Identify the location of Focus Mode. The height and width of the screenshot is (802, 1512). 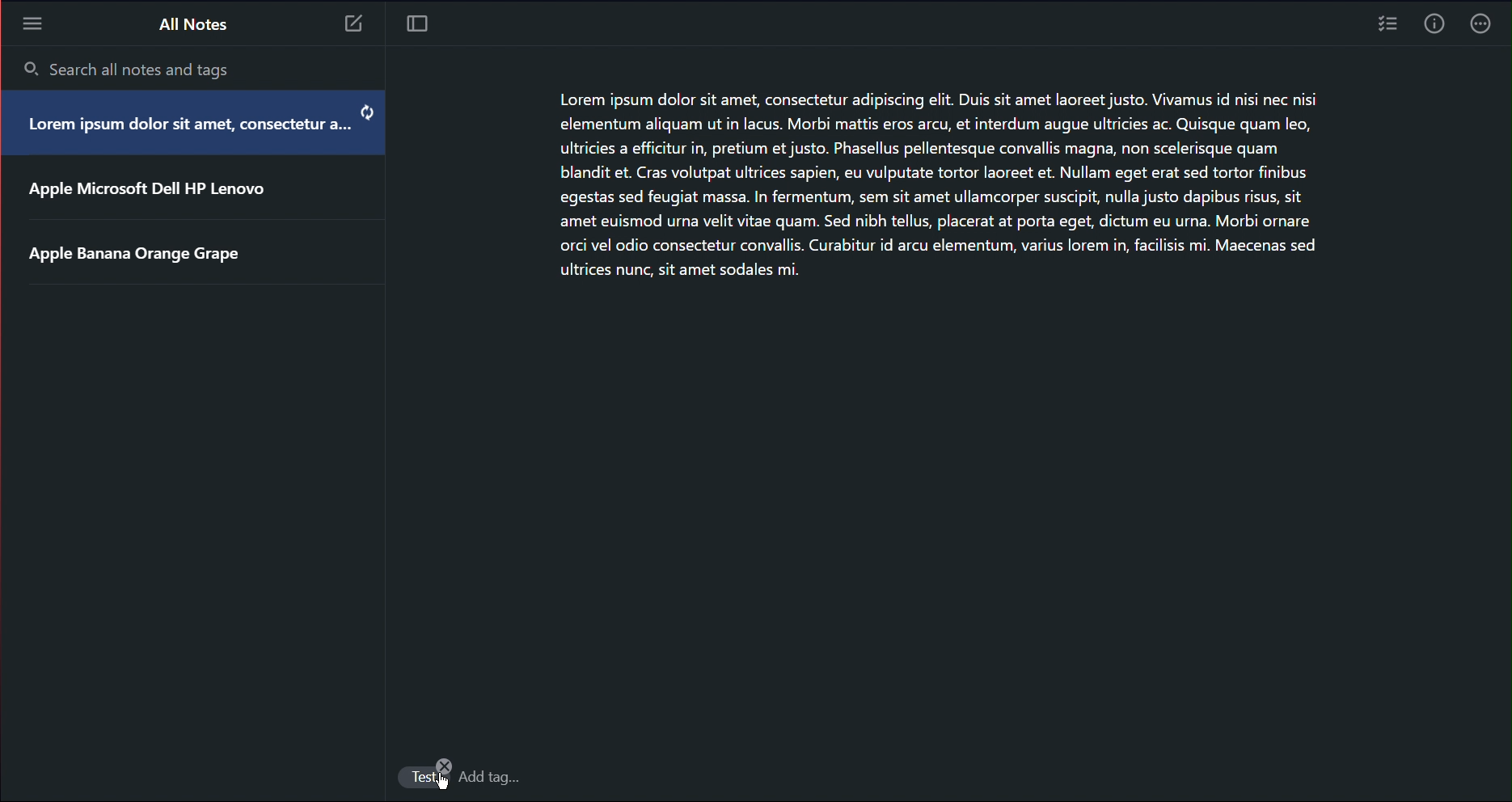
(419, 24).